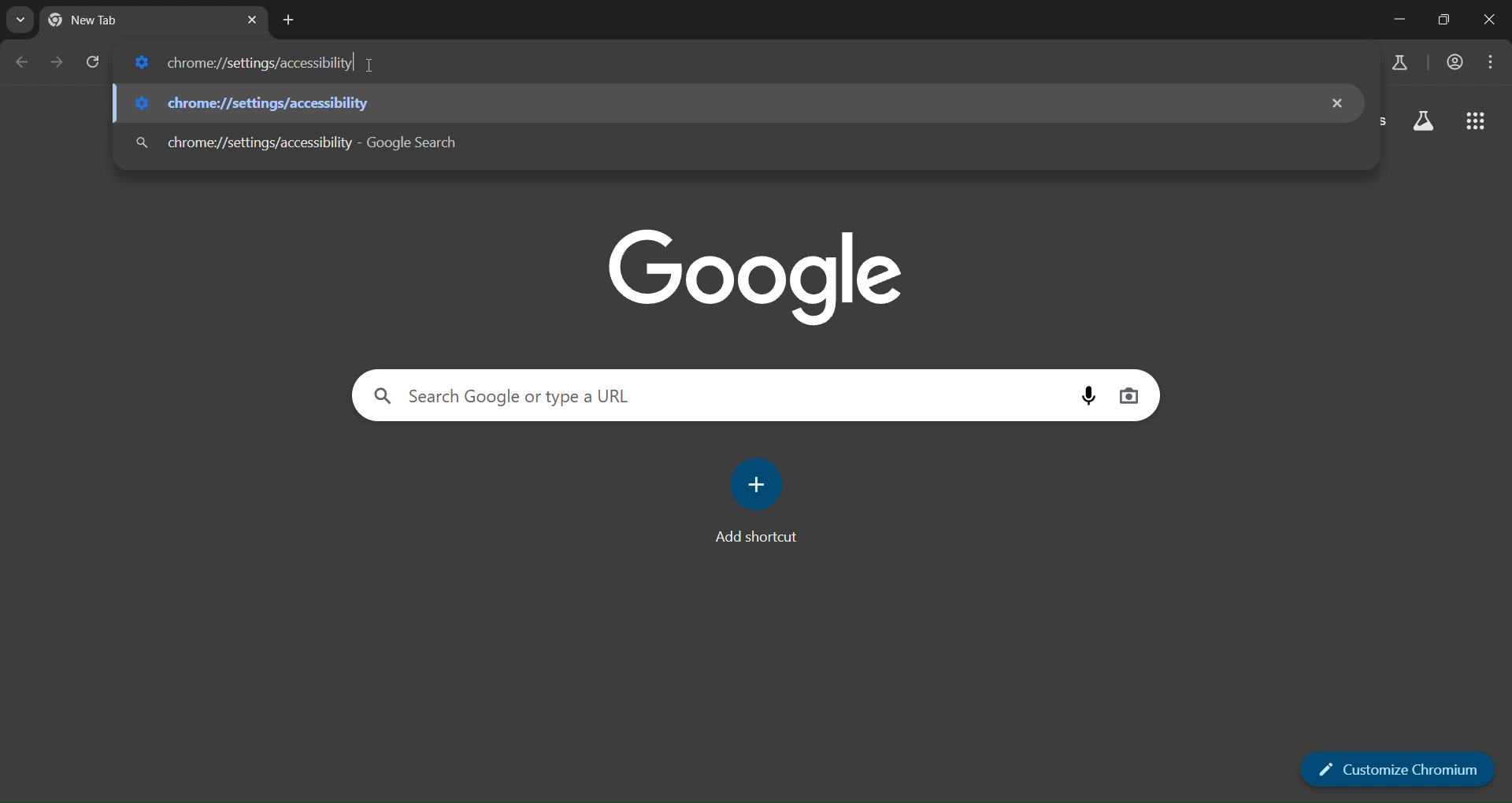  Describe the element at coordinates (24, 61) in the screenshot. I see `go back one page` at that location.